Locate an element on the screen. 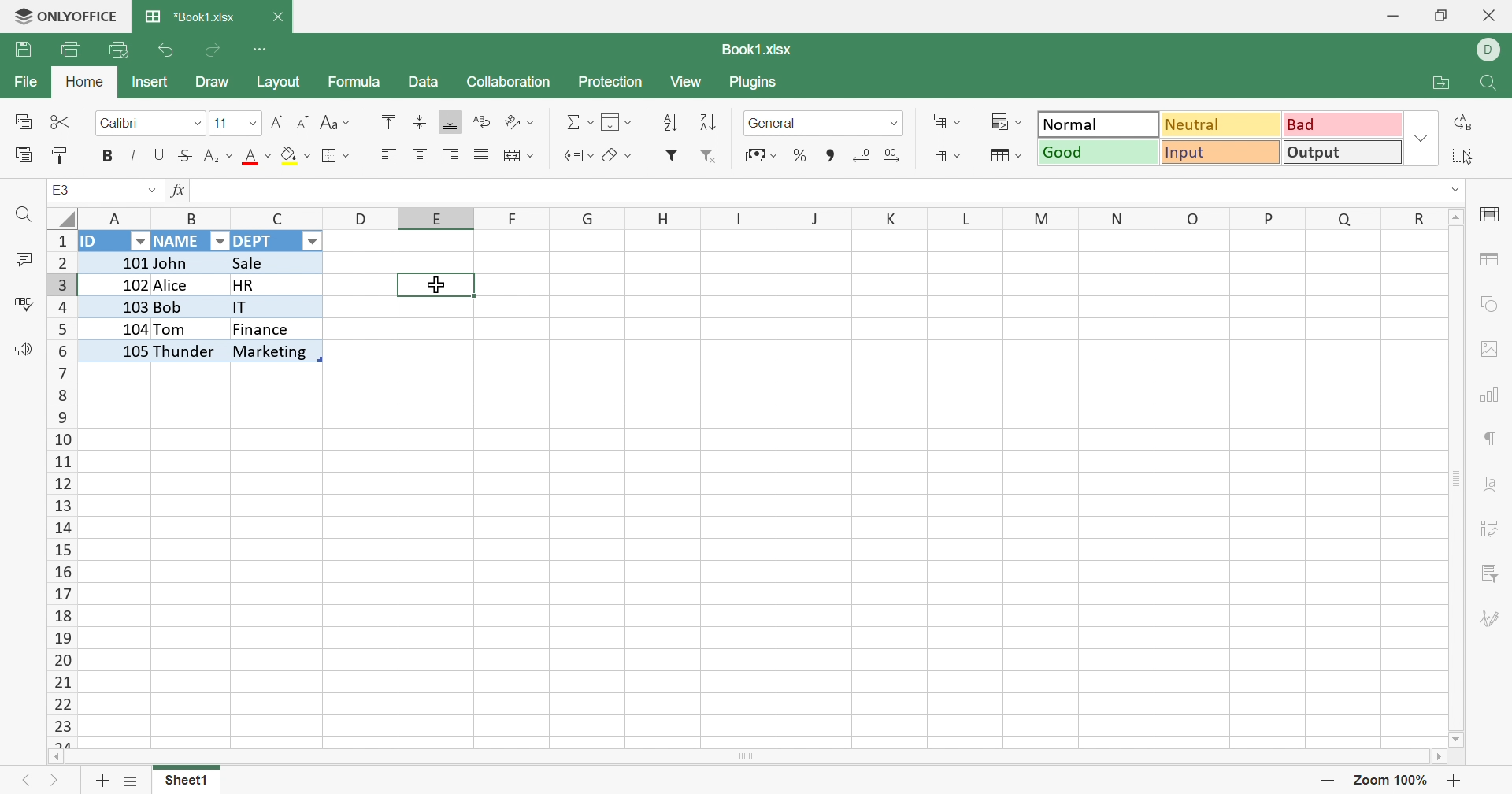 The image size is (1512, 794). Summation is located at coordinates (573, 121).